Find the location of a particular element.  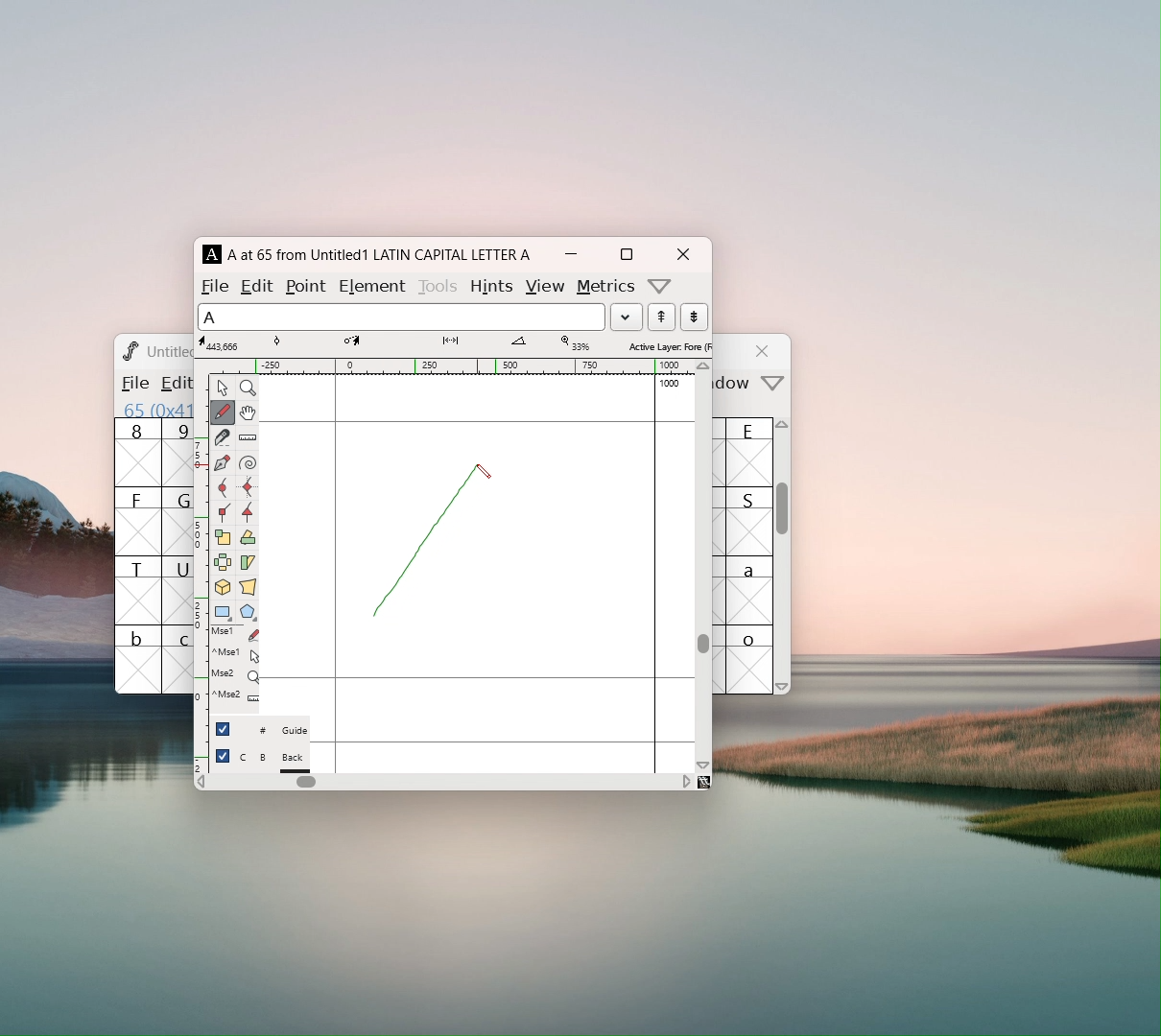

c is located at coordinates (178, 660).